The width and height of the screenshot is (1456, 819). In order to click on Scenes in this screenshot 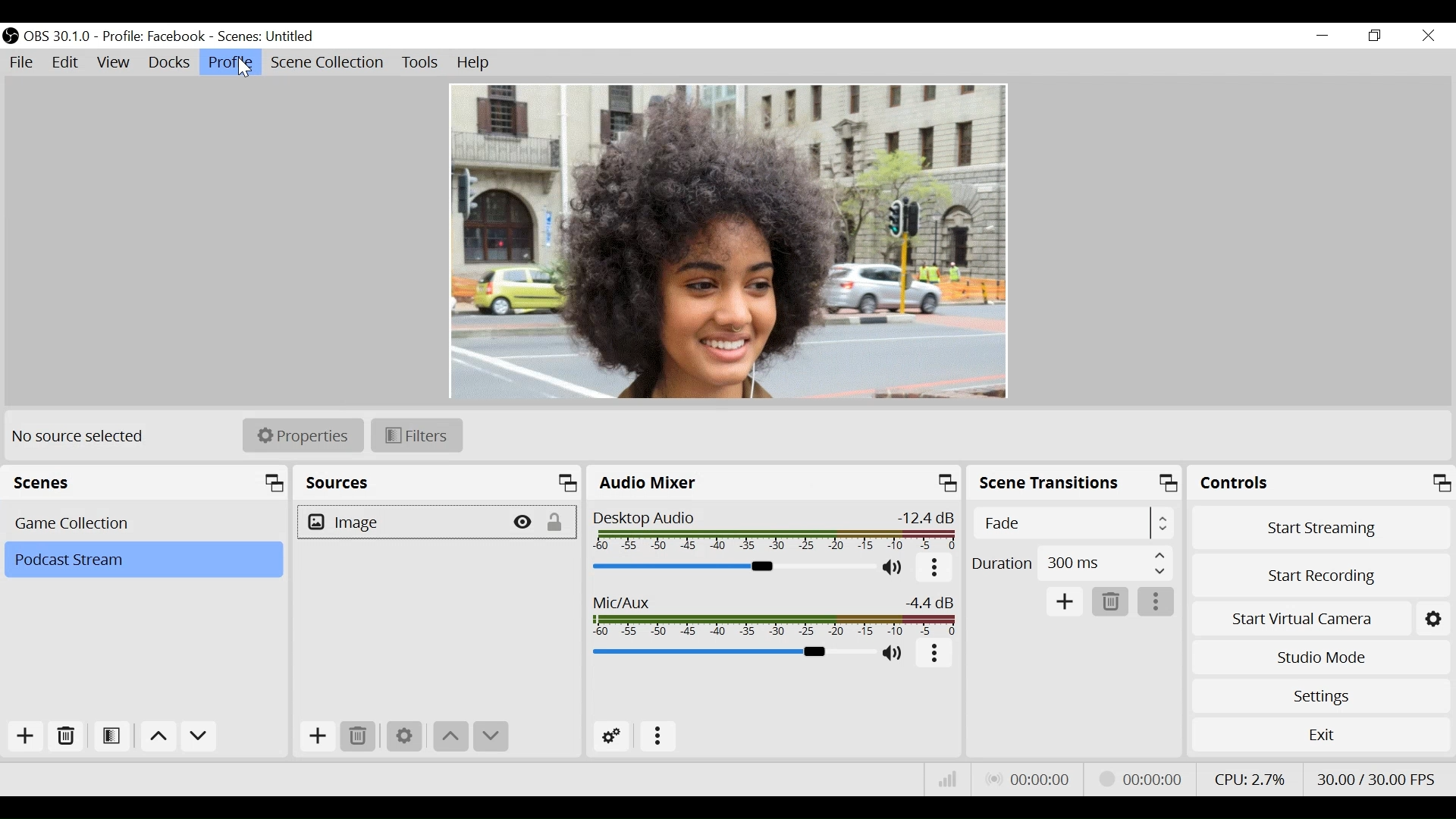, I will do `click(145, 482)`.